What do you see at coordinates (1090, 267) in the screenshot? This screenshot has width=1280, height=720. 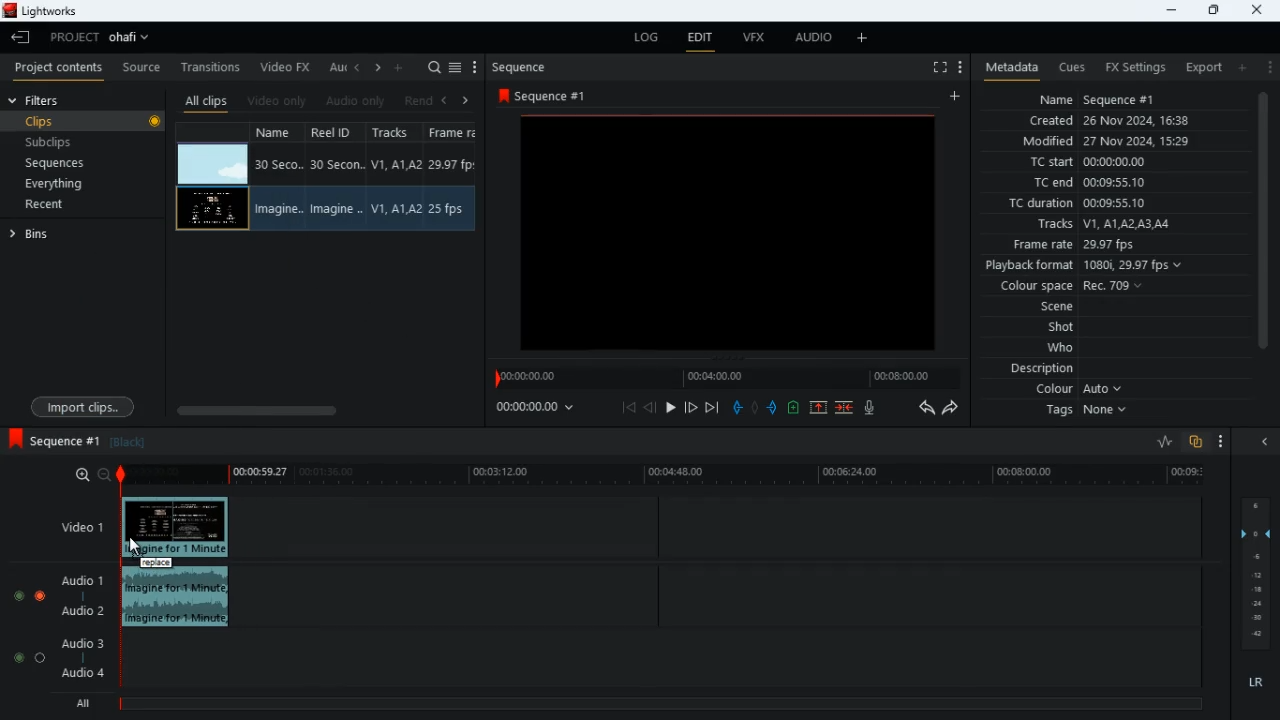 I see `playback format` at bounding box center [1090, 267].